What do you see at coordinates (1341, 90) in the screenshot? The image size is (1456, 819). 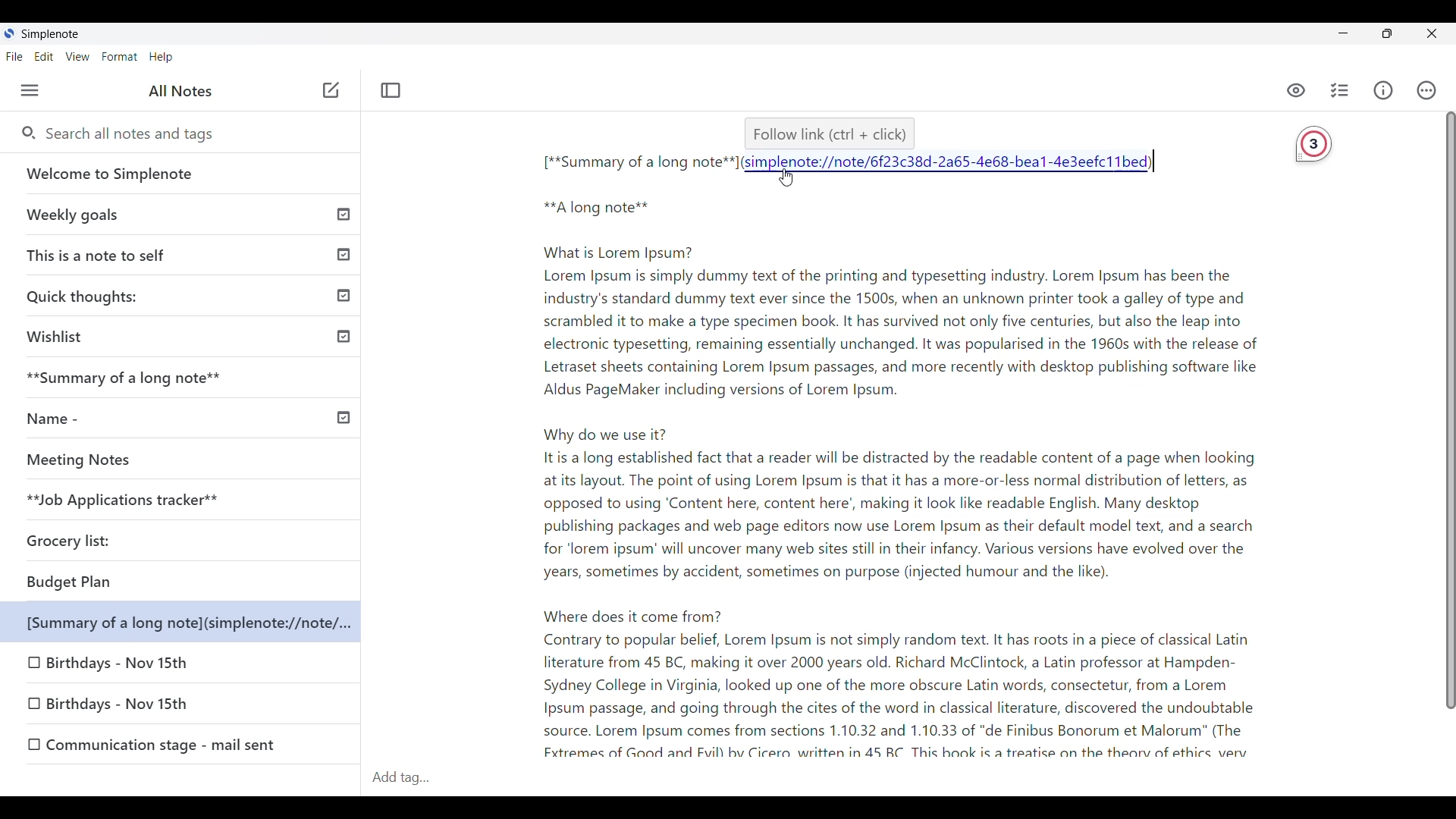 I see `Insert checklist` at bounding box center [1341, 90].